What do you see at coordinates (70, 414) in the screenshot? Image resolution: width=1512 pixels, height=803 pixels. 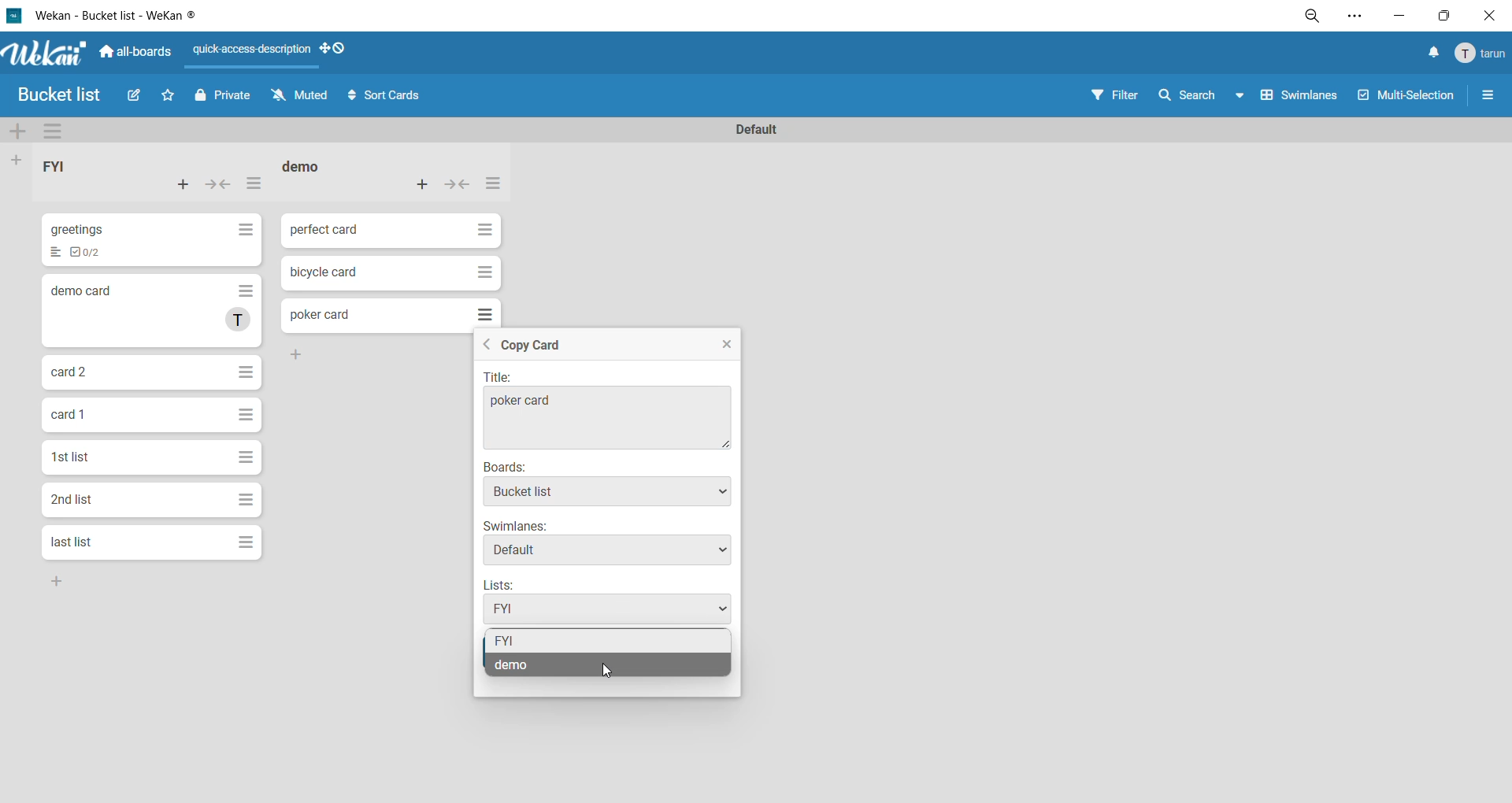 I see `card 1` at bounding box center [70, 414].